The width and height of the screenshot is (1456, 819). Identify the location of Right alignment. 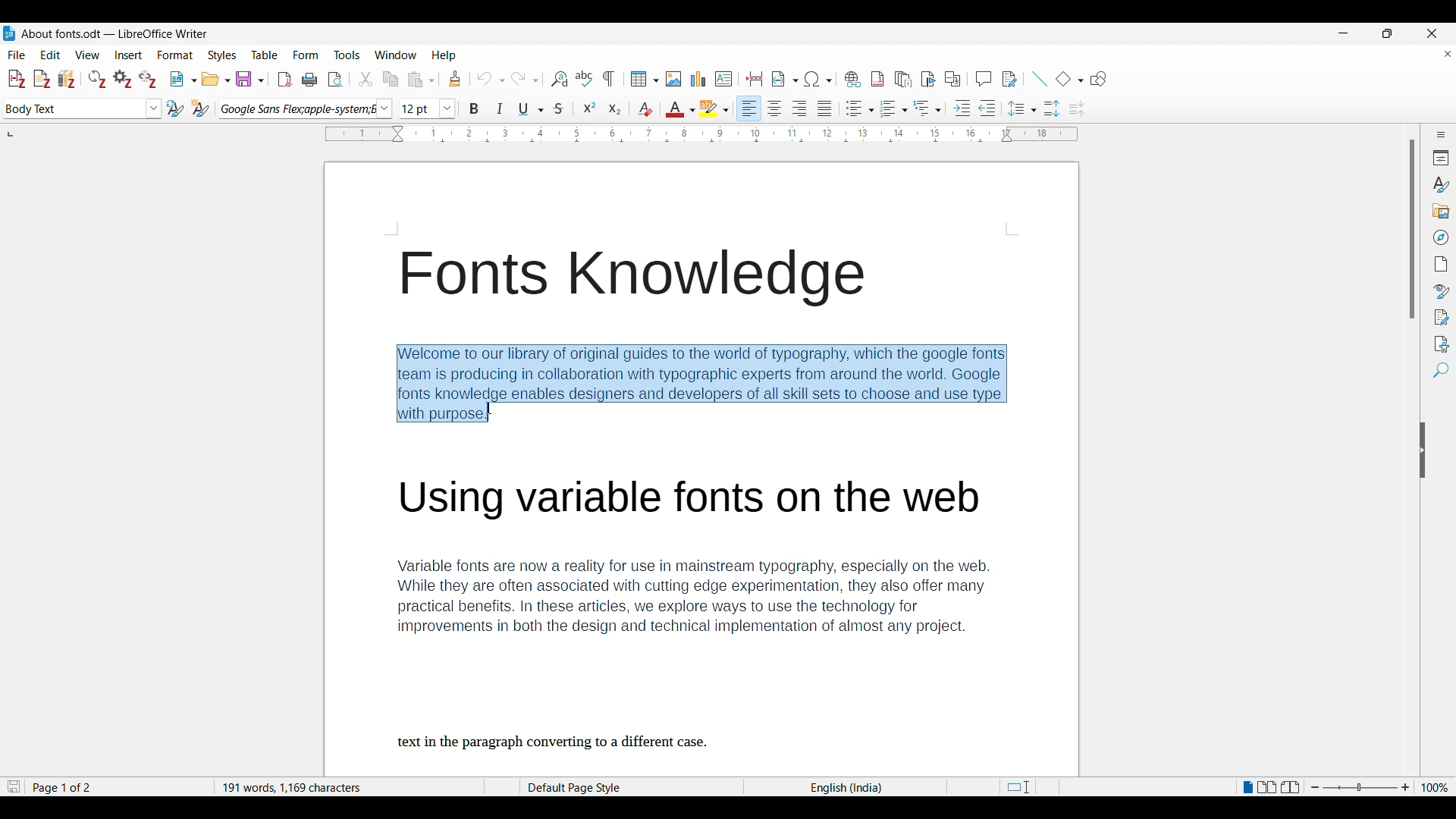
(799, 108).